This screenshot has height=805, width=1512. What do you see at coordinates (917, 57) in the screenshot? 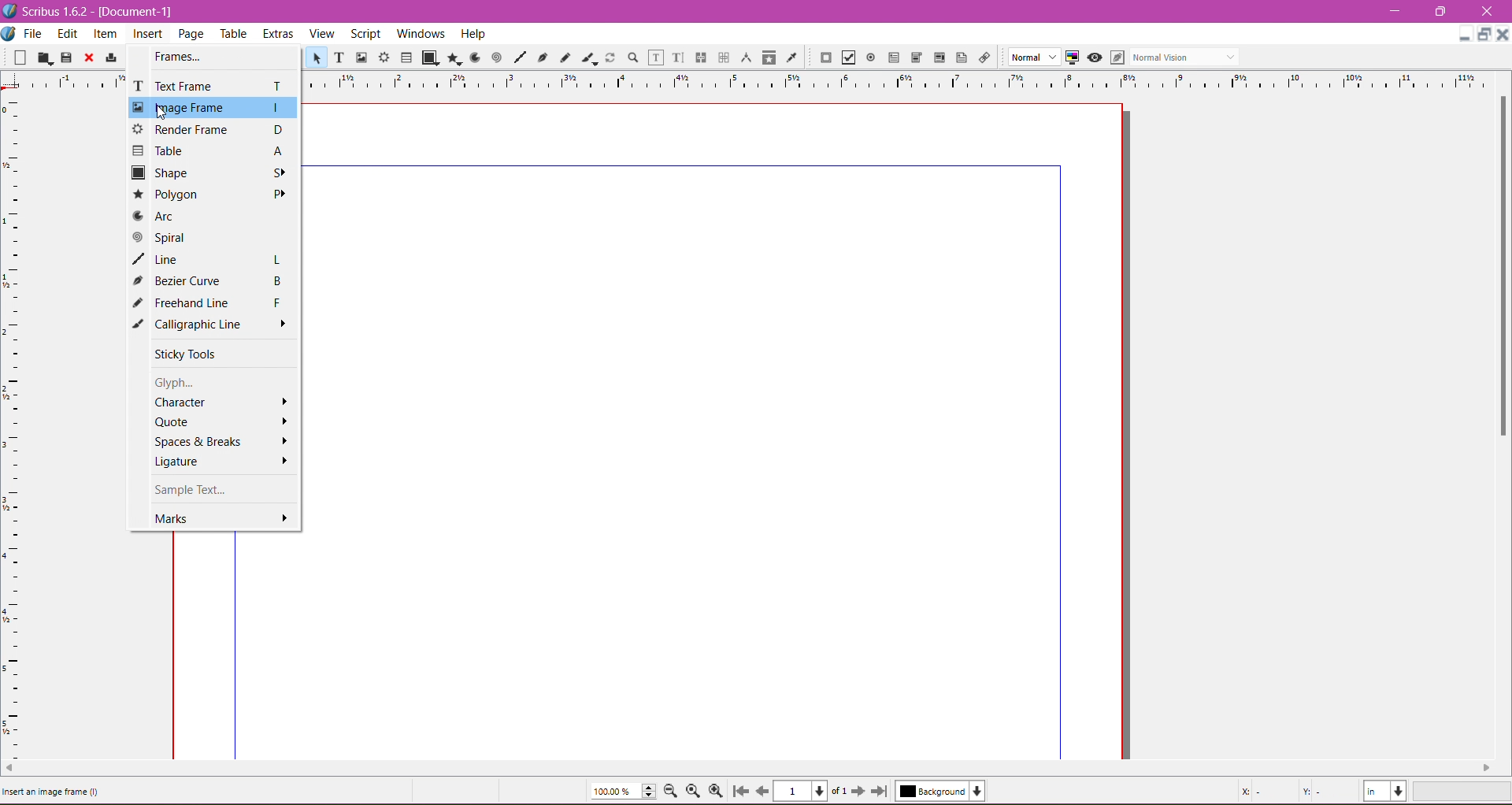
I see `PDF Combo Box` at bounding box center [917, 57].